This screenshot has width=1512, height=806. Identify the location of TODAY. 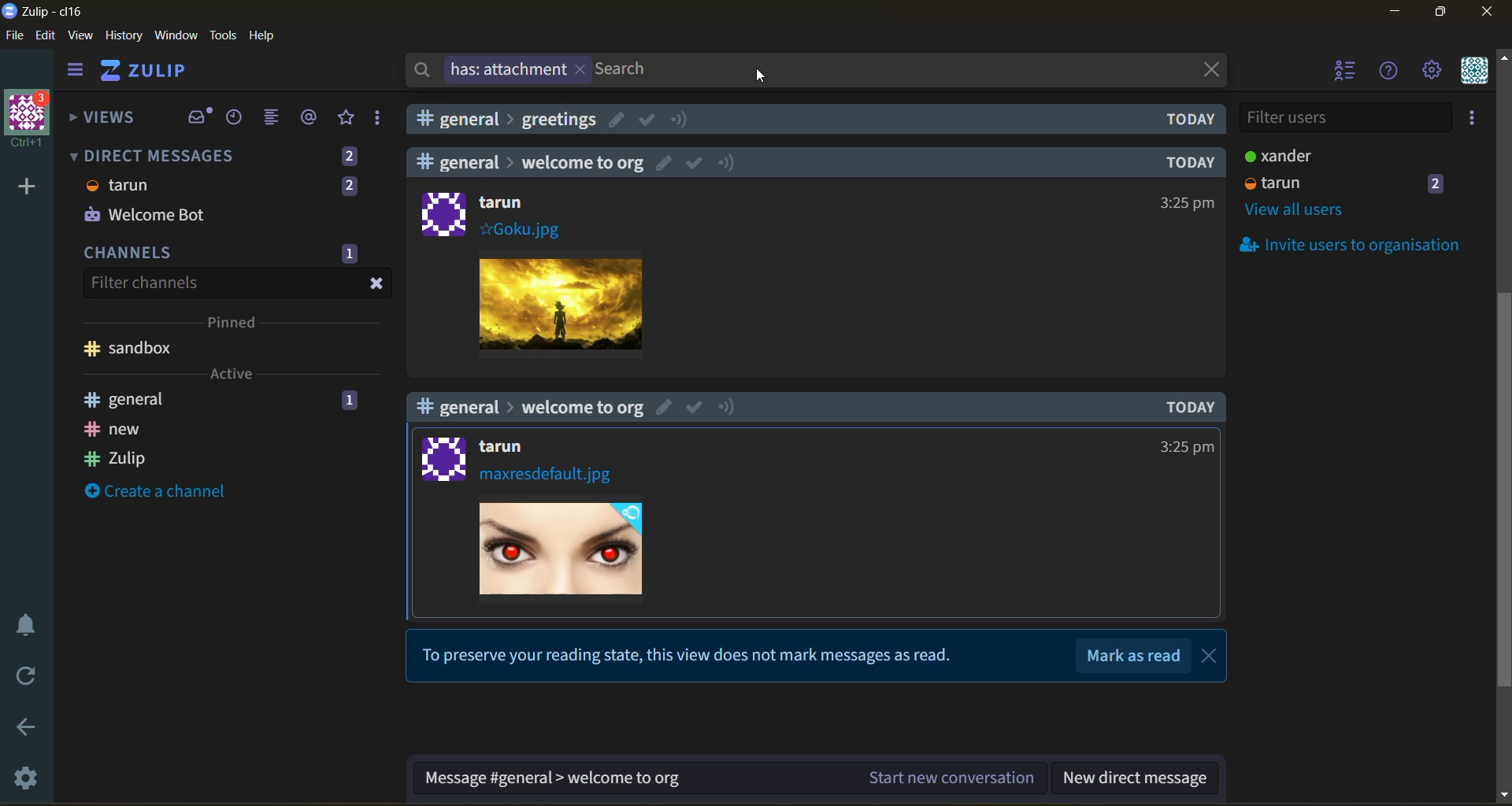
(1194, 405).